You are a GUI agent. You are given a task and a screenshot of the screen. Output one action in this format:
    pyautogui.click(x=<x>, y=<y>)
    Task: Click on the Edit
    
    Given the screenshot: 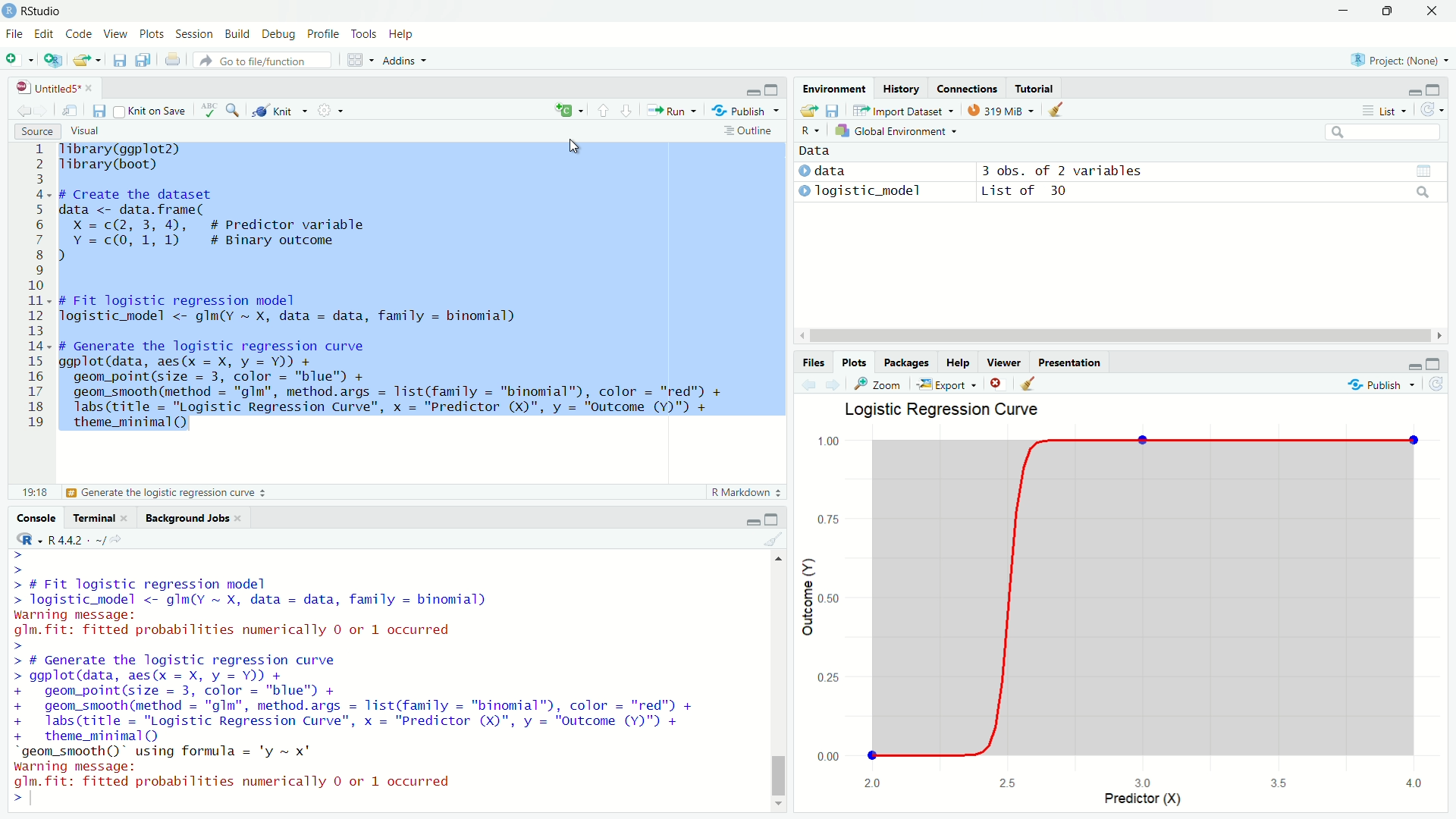 What is the action you would take?
    pyautogui.click(x=42, y=33)
    